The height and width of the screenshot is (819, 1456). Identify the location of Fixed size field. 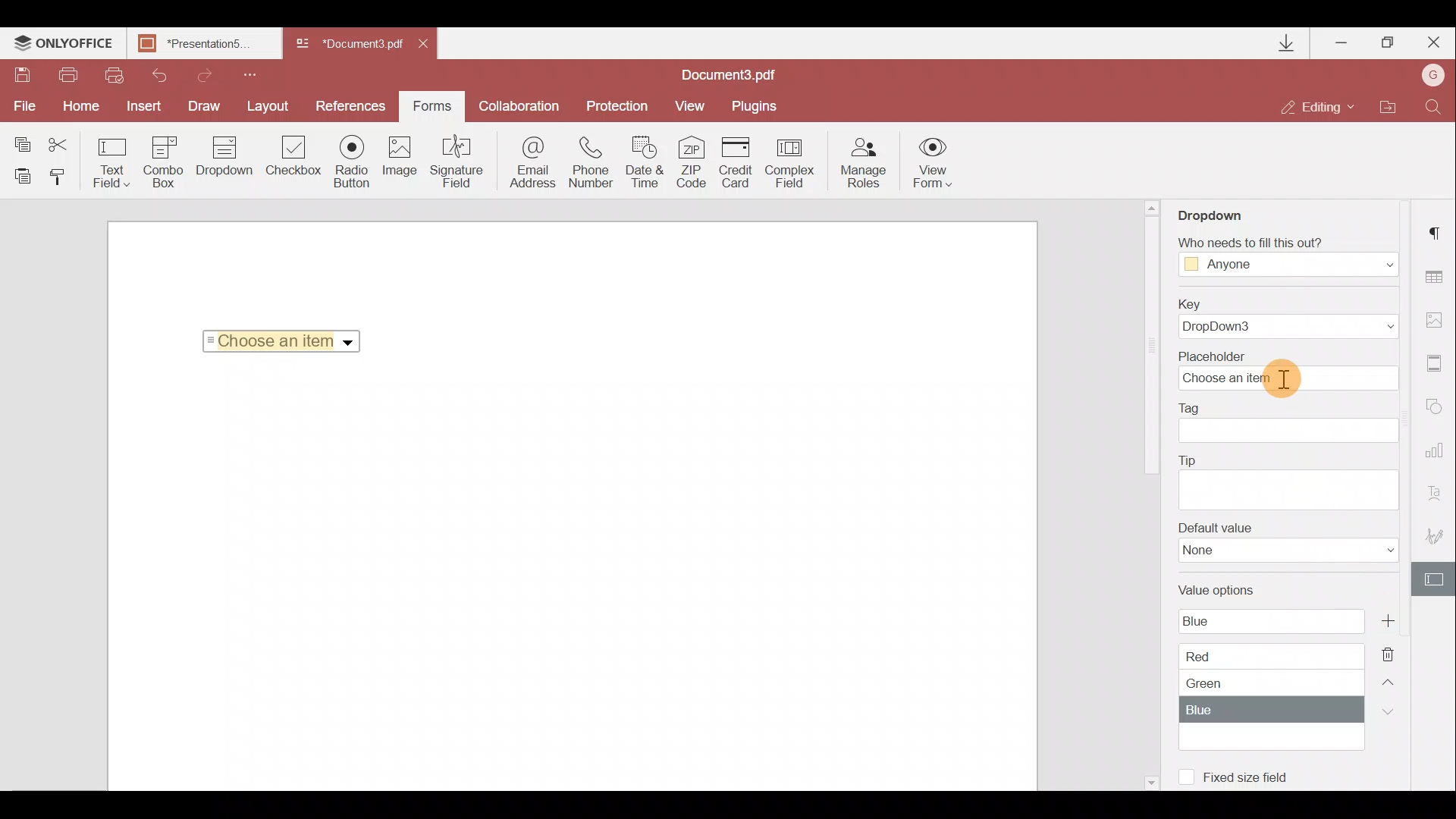
(1255, 780).